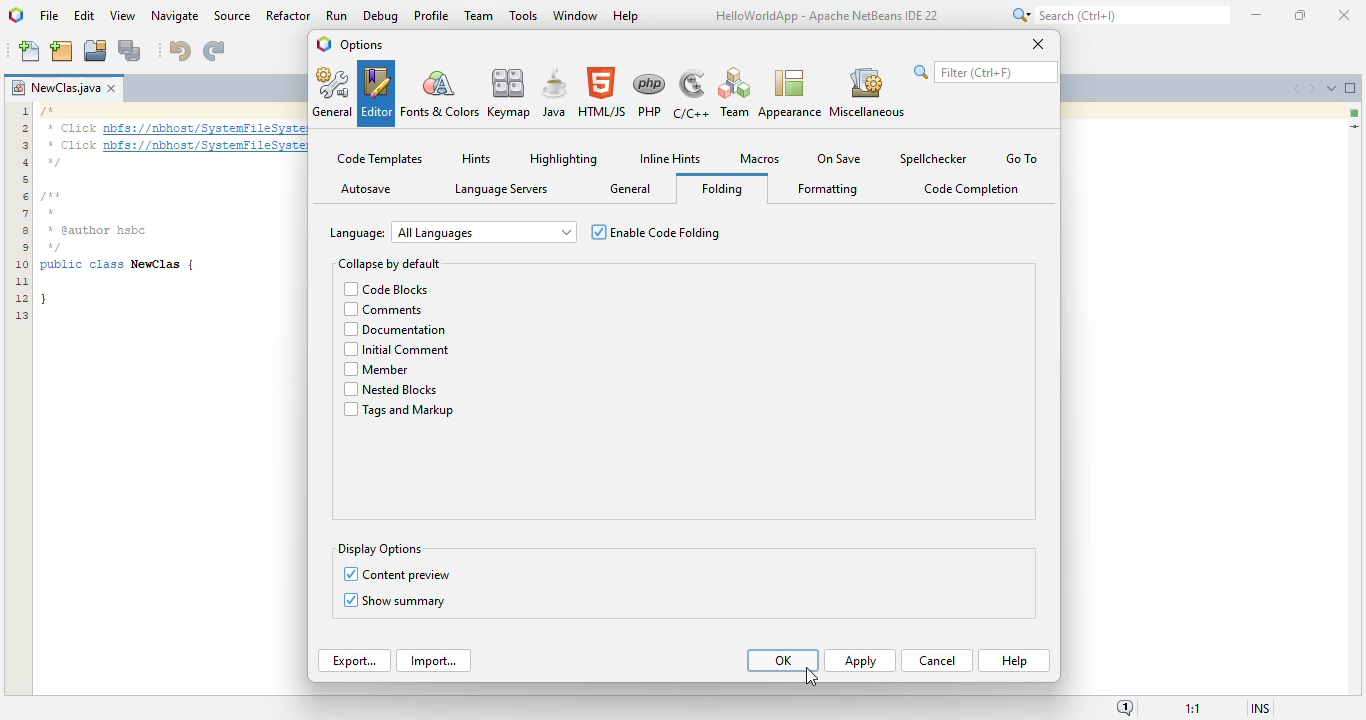  I want to click on open project, so click(95, 49).